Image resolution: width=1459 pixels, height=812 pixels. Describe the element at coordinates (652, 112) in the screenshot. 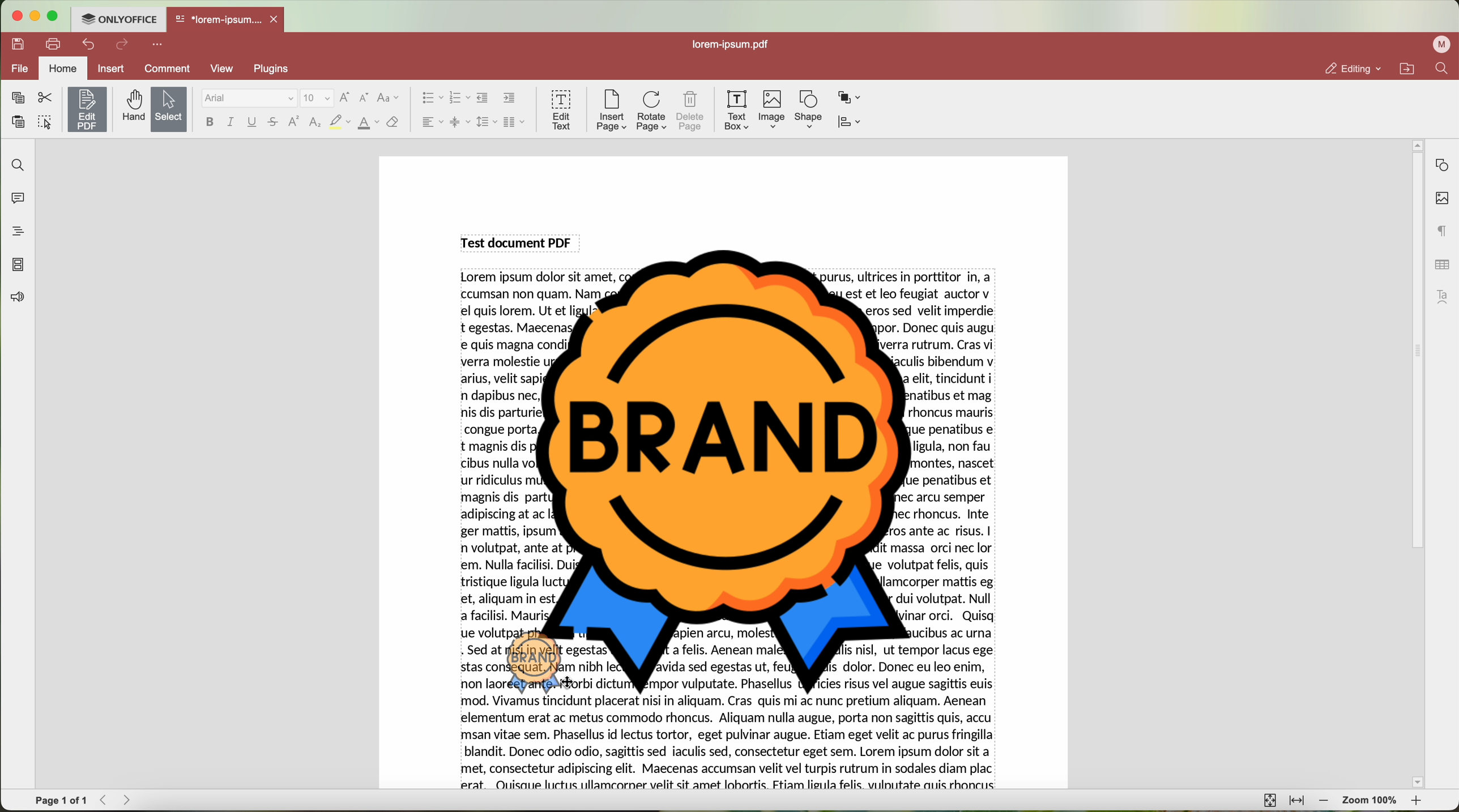

I see `rotate page` at that location.